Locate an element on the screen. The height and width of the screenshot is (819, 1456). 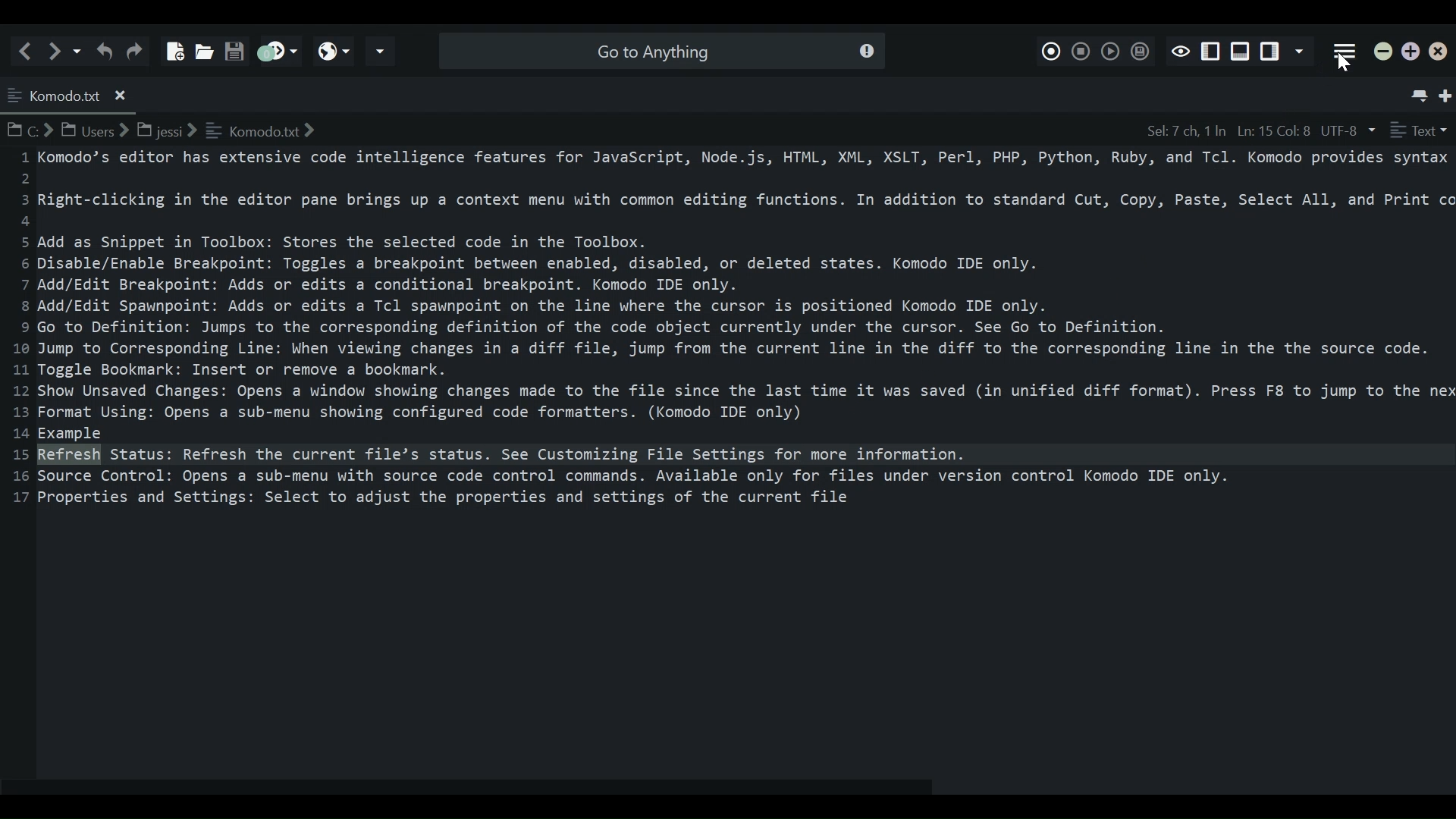
File Position is located at coordinates (1226, 130).